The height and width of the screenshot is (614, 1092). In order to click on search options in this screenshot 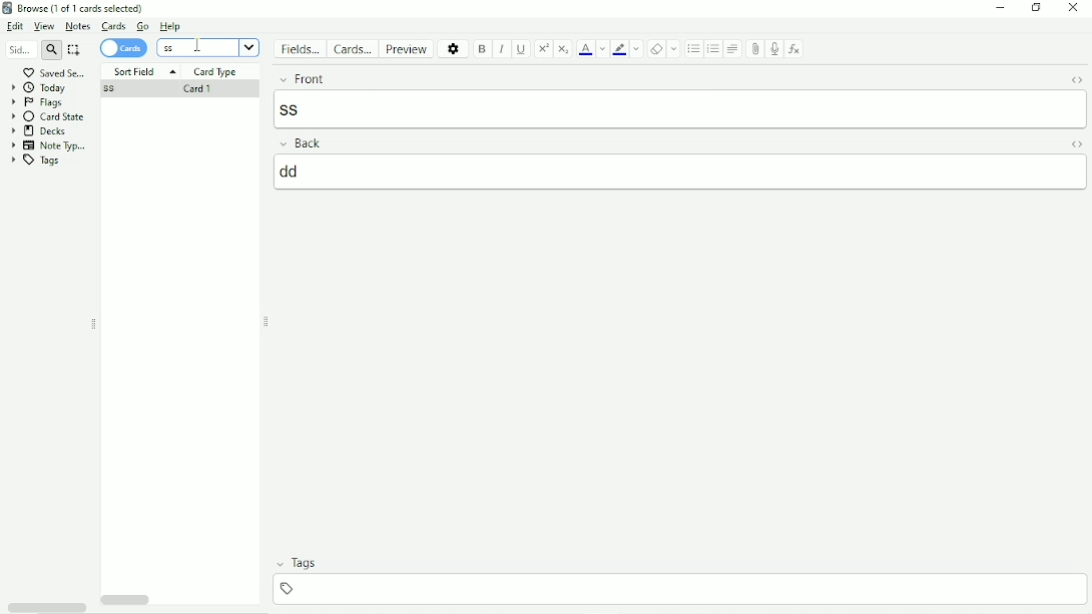, I will do `click(249, 47)`.